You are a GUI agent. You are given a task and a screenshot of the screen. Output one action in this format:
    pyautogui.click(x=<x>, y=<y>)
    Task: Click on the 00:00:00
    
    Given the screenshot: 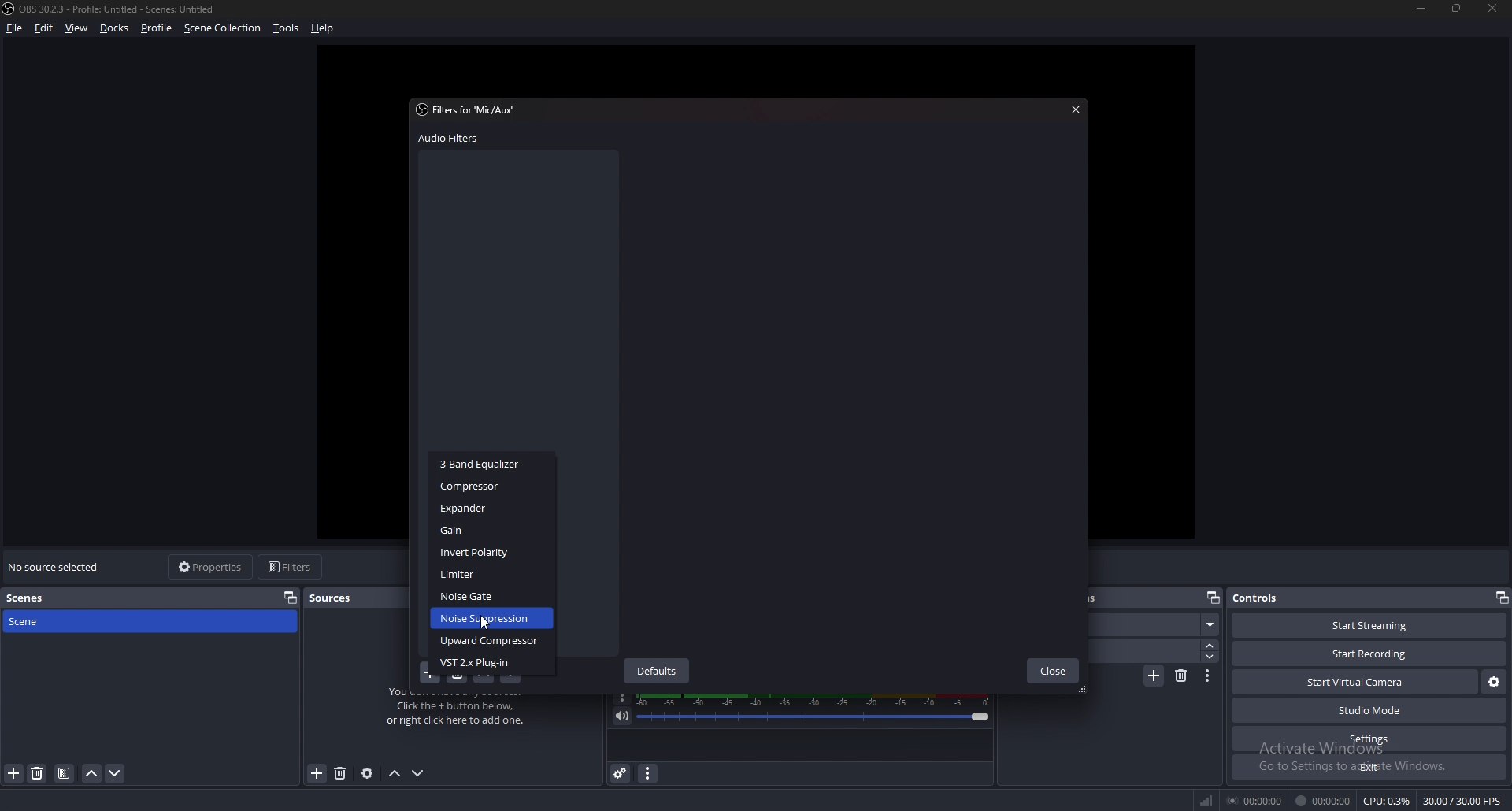 What is the action you would take?
    pyautogui.click(x=1254, y=799)
    